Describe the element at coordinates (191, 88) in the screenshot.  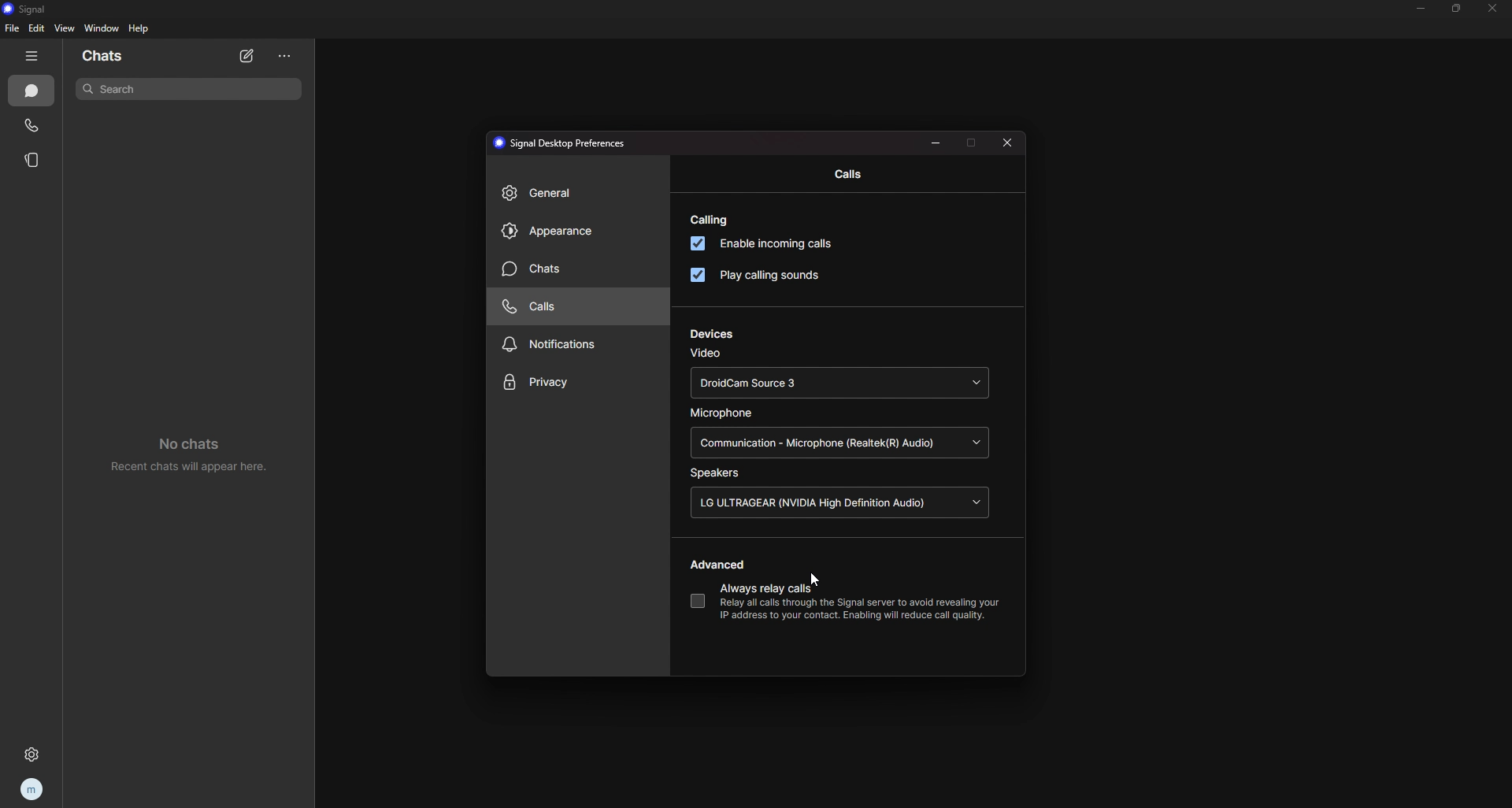
I see `search` at that location.